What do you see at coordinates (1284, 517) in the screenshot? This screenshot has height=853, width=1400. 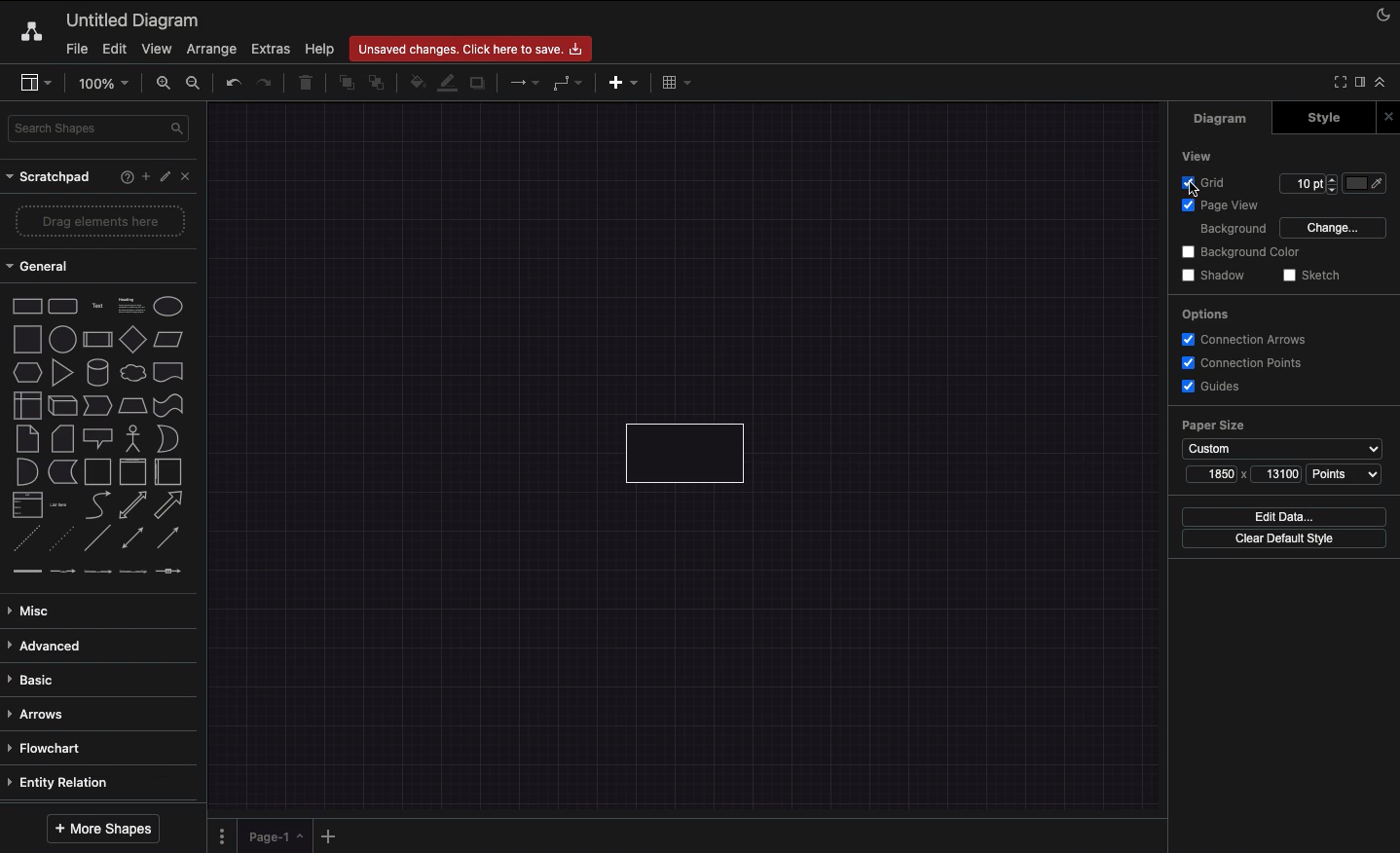 I see `Edit data` at bounding box center [1284, 517].